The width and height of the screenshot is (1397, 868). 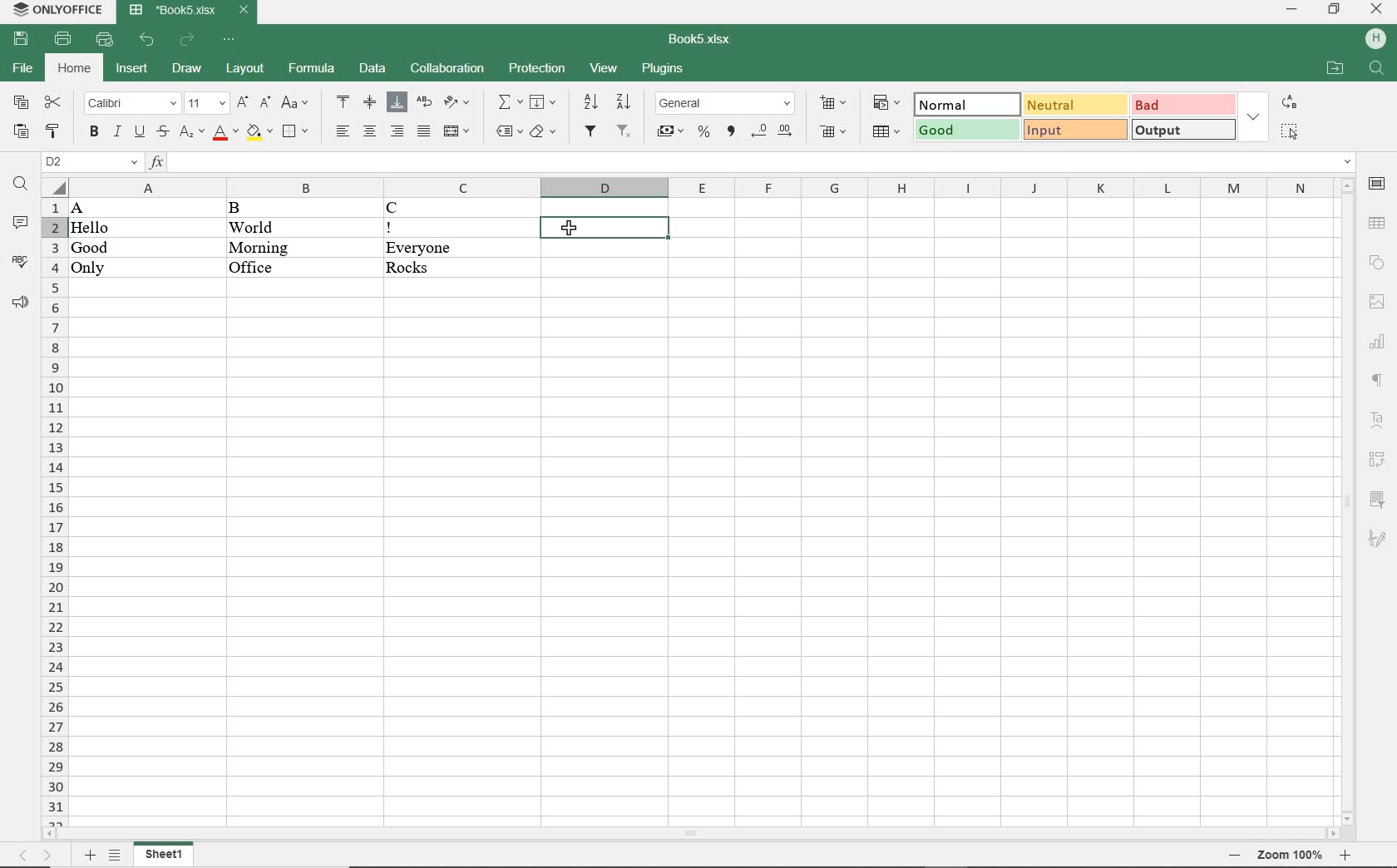 What do you see at coordinates (1376, 459) in the screenshot?
I see `PIVOT TABLE` at bounding box center [1376, 459].